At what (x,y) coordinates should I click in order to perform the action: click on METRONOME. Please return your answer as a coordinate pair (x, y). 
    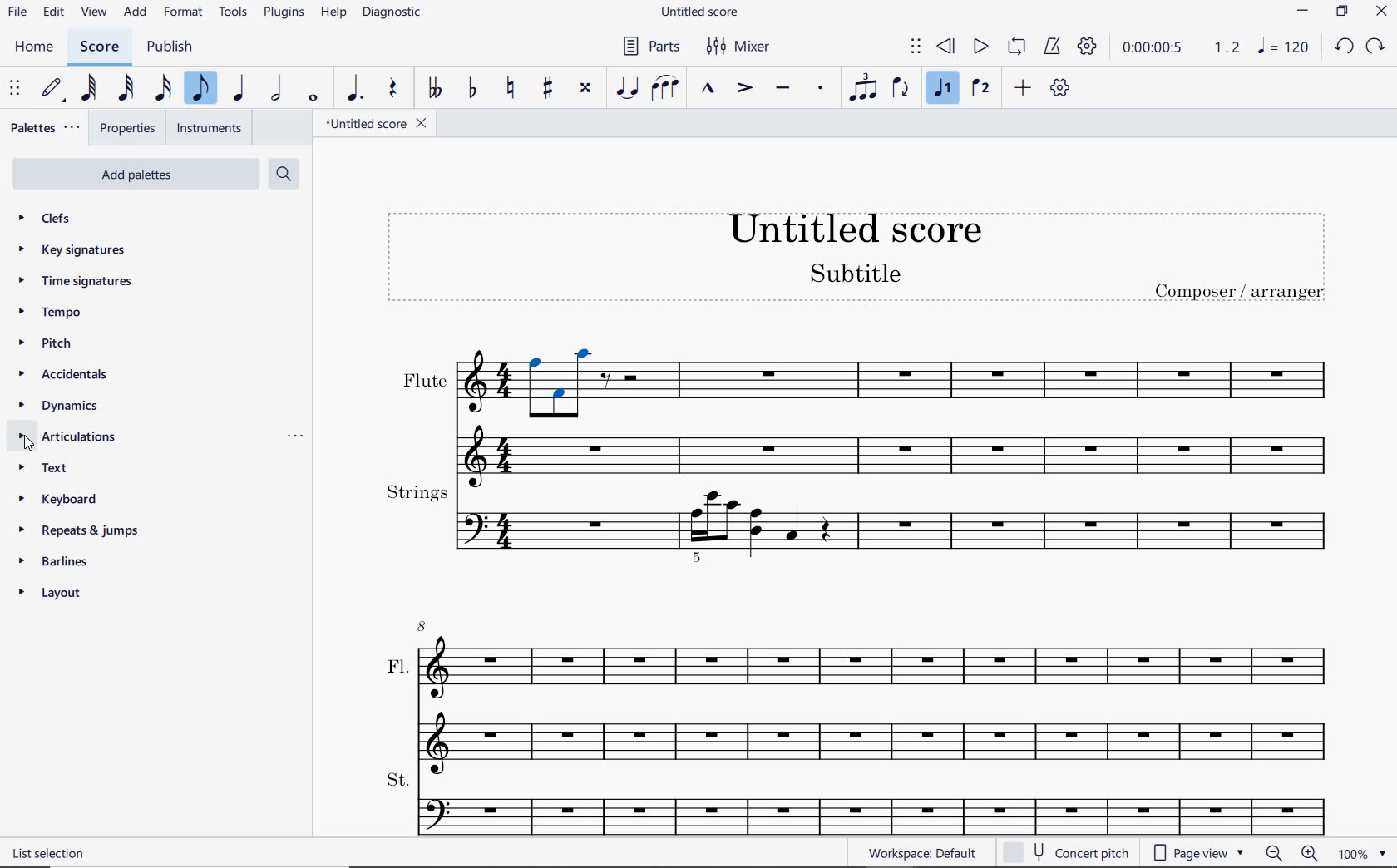
    Looking at the image, I should click on (1054, 46).